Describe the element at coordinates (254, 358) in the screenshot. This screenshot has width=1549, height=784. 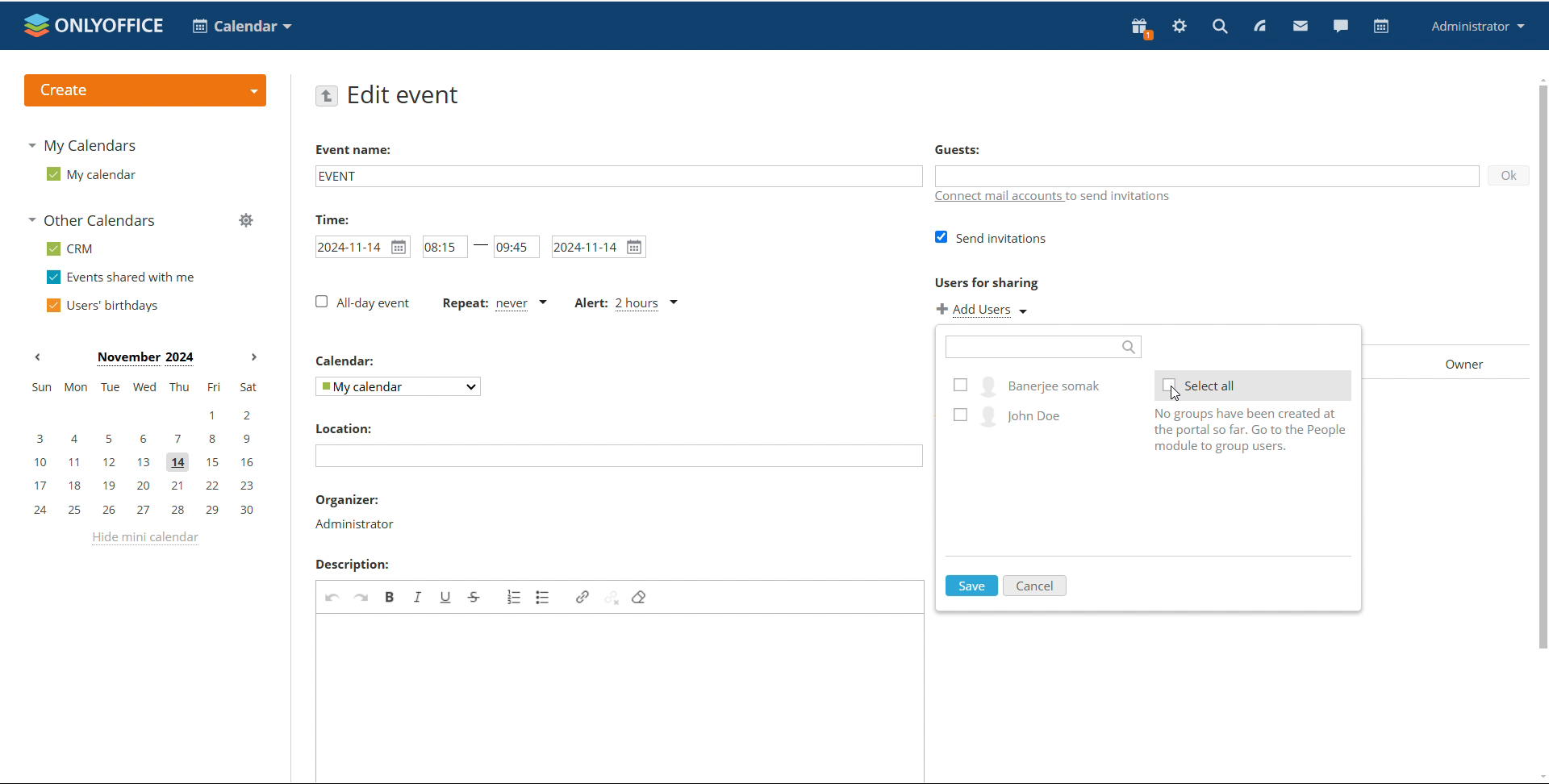
I see `next month` at that location.